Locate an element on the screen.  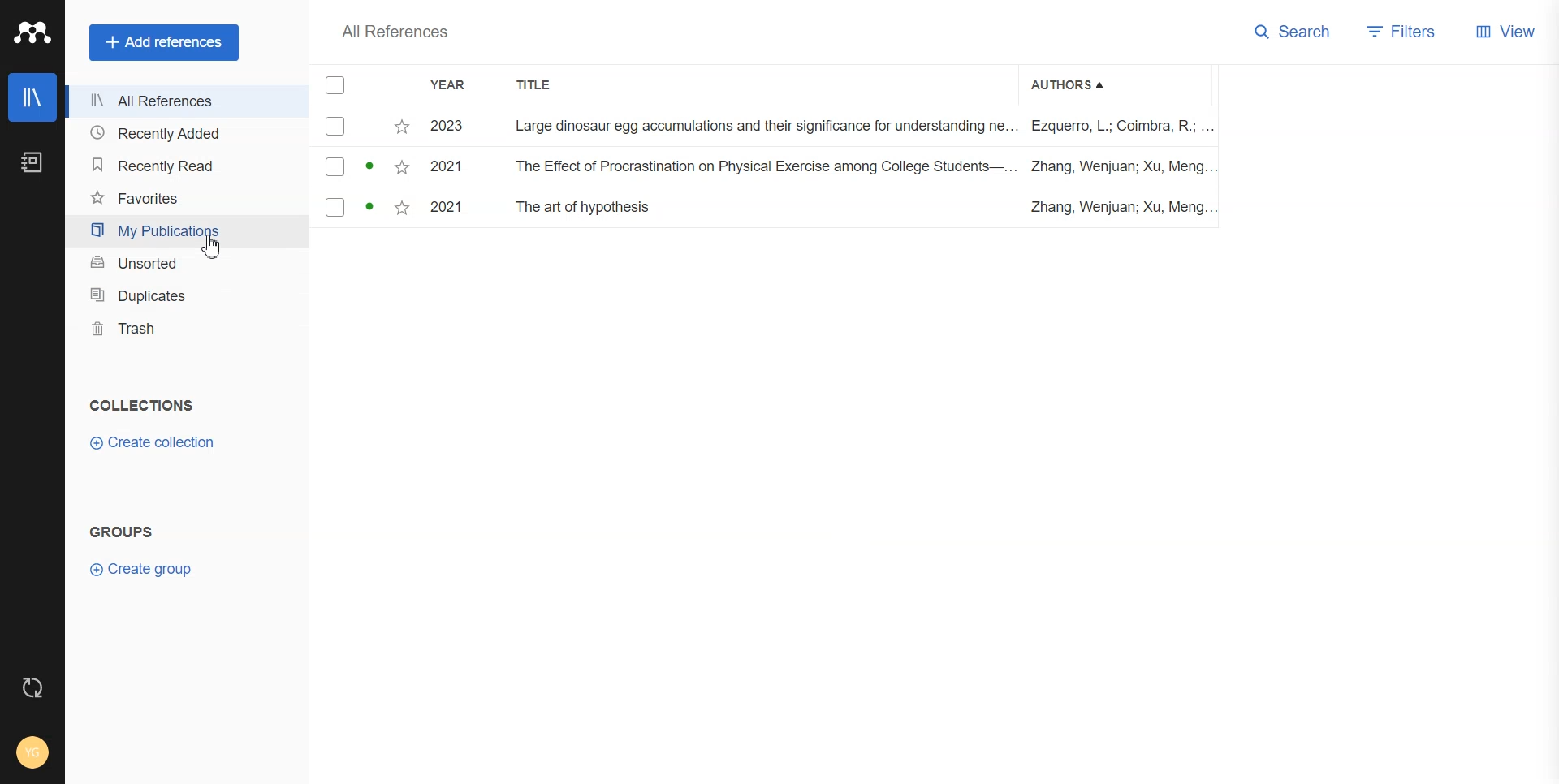
The art of hypothesis is located at coordinates (587, 208).